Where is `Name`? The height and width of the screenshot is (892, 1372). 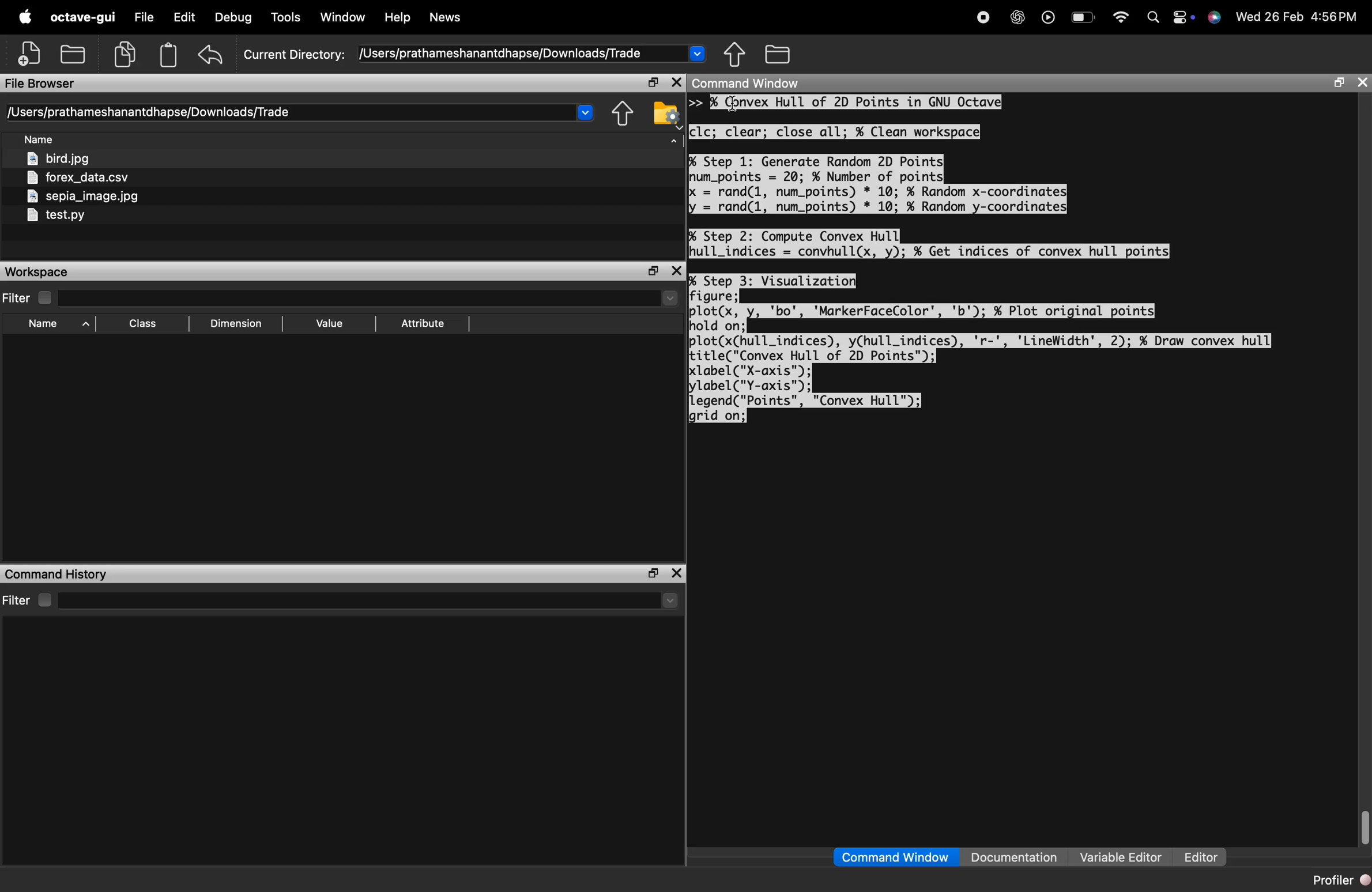 Name is located at coordinates (38, 137).